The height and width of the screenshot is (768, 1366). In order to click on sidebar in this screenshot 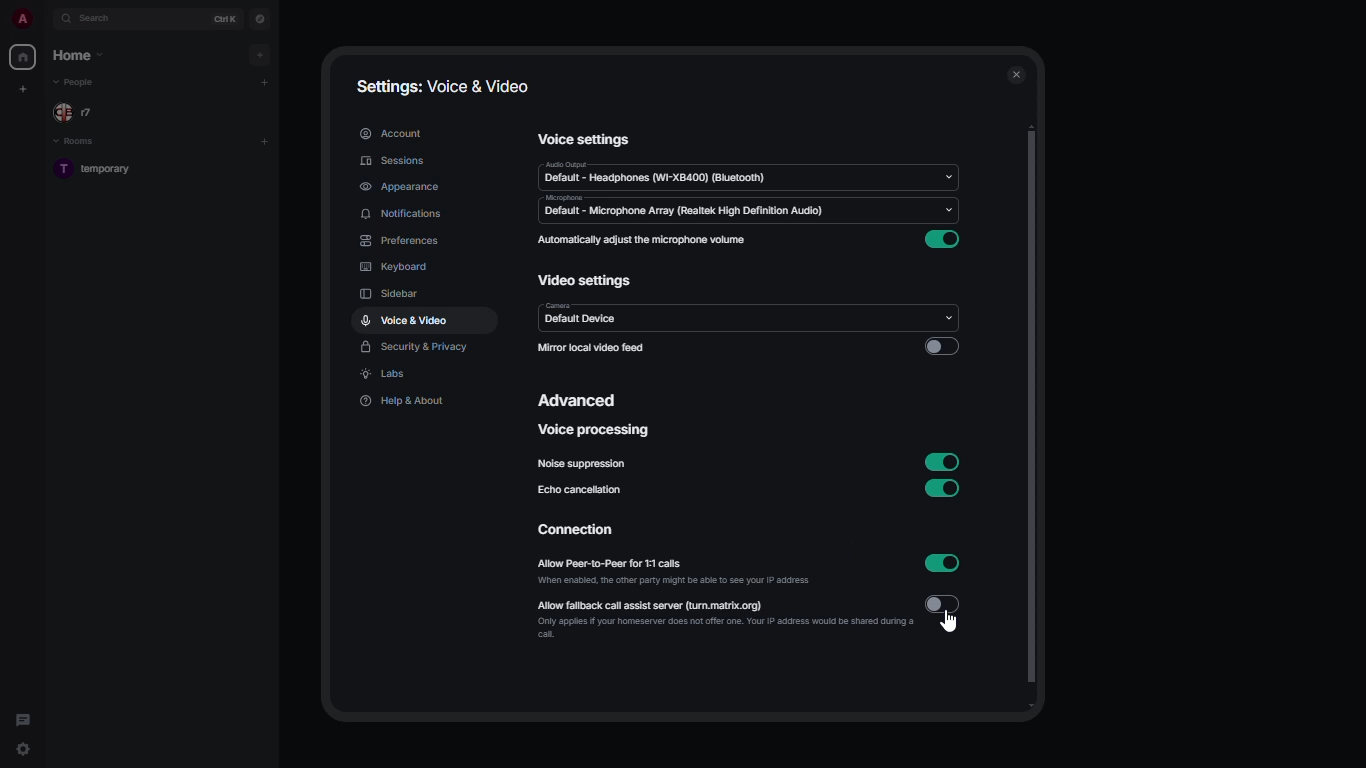, I will do `click(389, 293)`.